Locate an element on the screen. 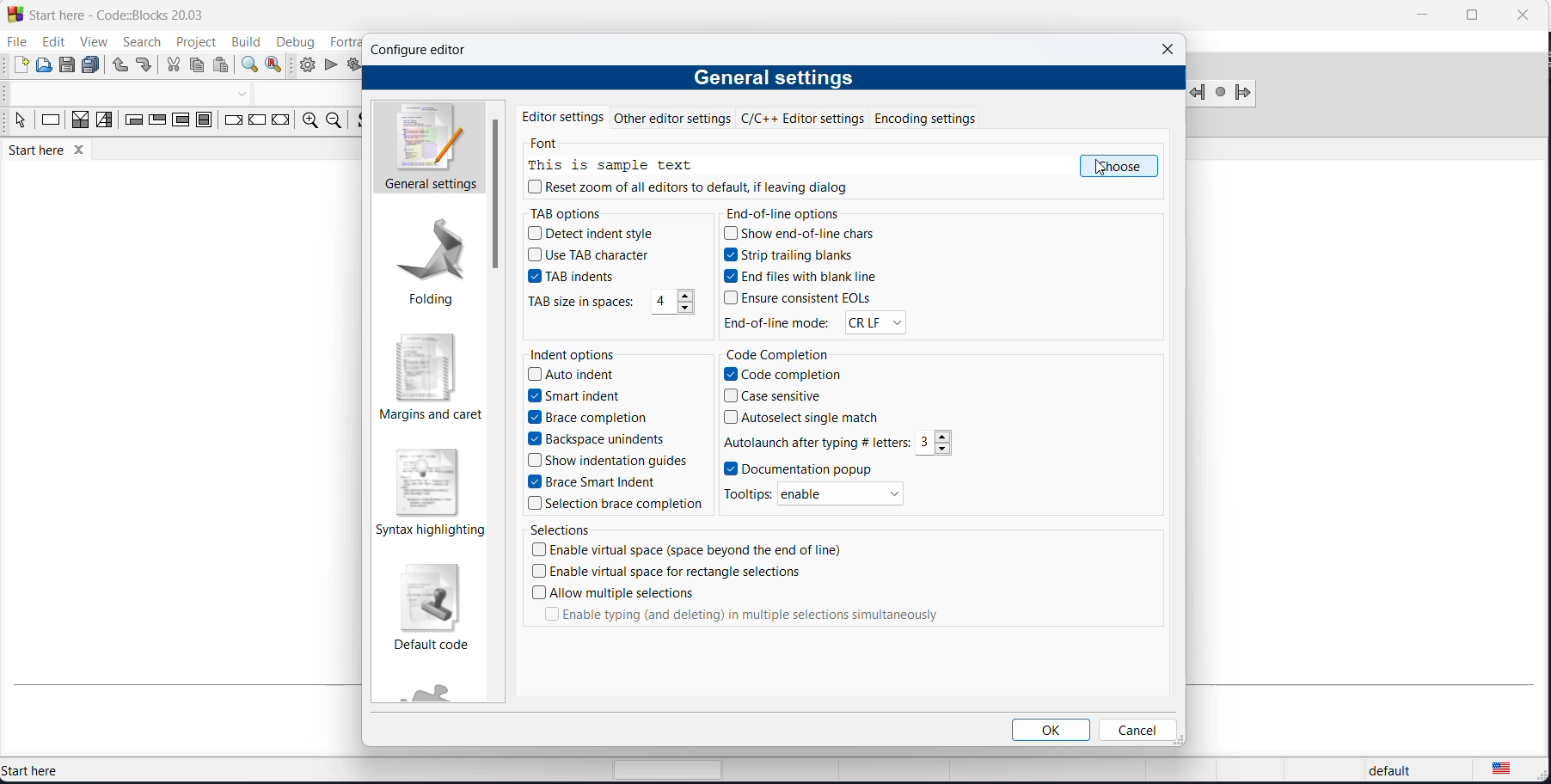 The width and height of the screenshot is (1551, 784). new file is located at coordinates (20, 65).